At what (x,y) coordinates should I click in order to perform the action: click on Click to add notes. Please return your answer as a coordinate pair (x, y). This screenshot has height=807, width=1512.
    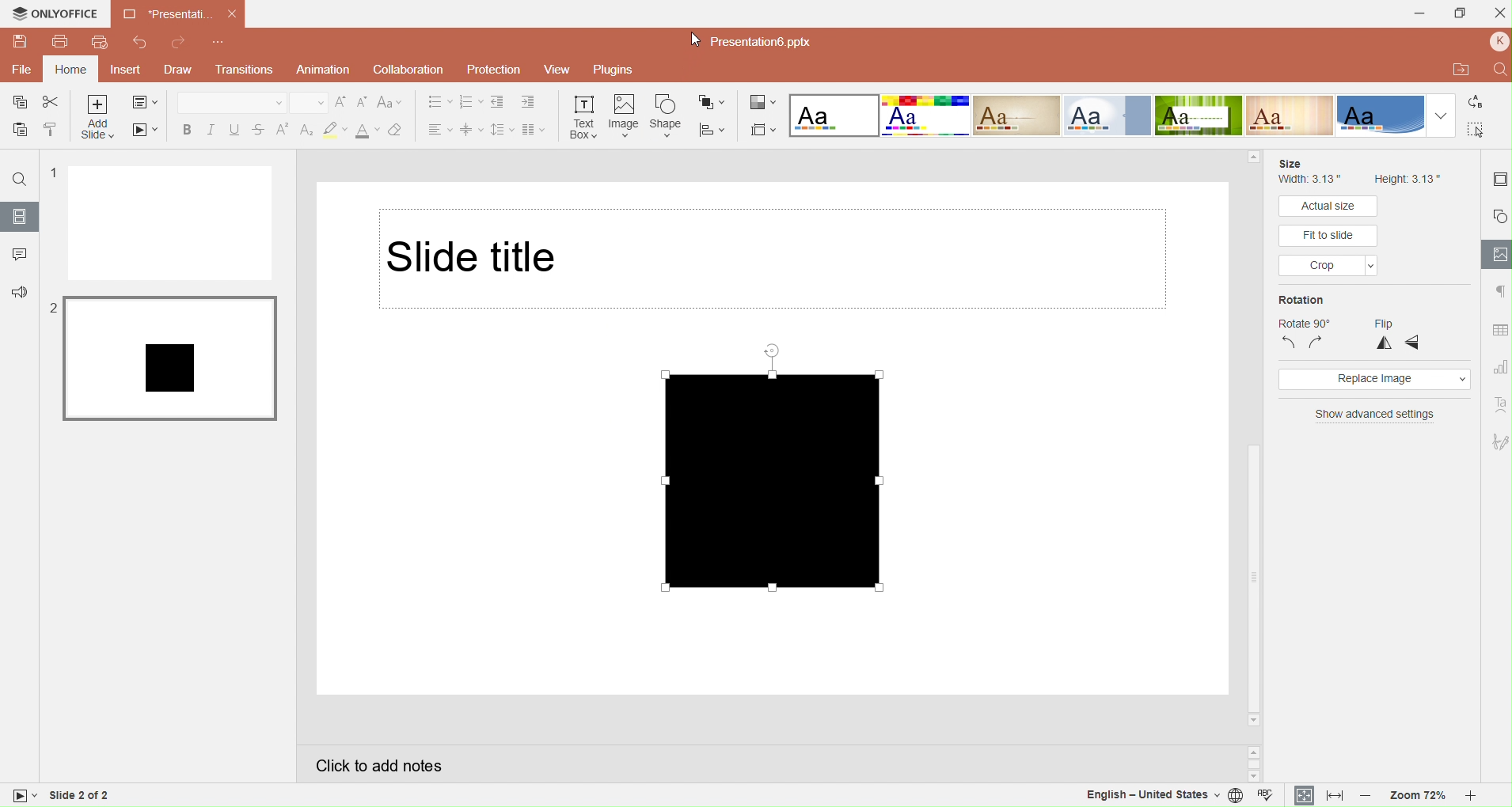
    Looking at the image, I should click on (764, 763).